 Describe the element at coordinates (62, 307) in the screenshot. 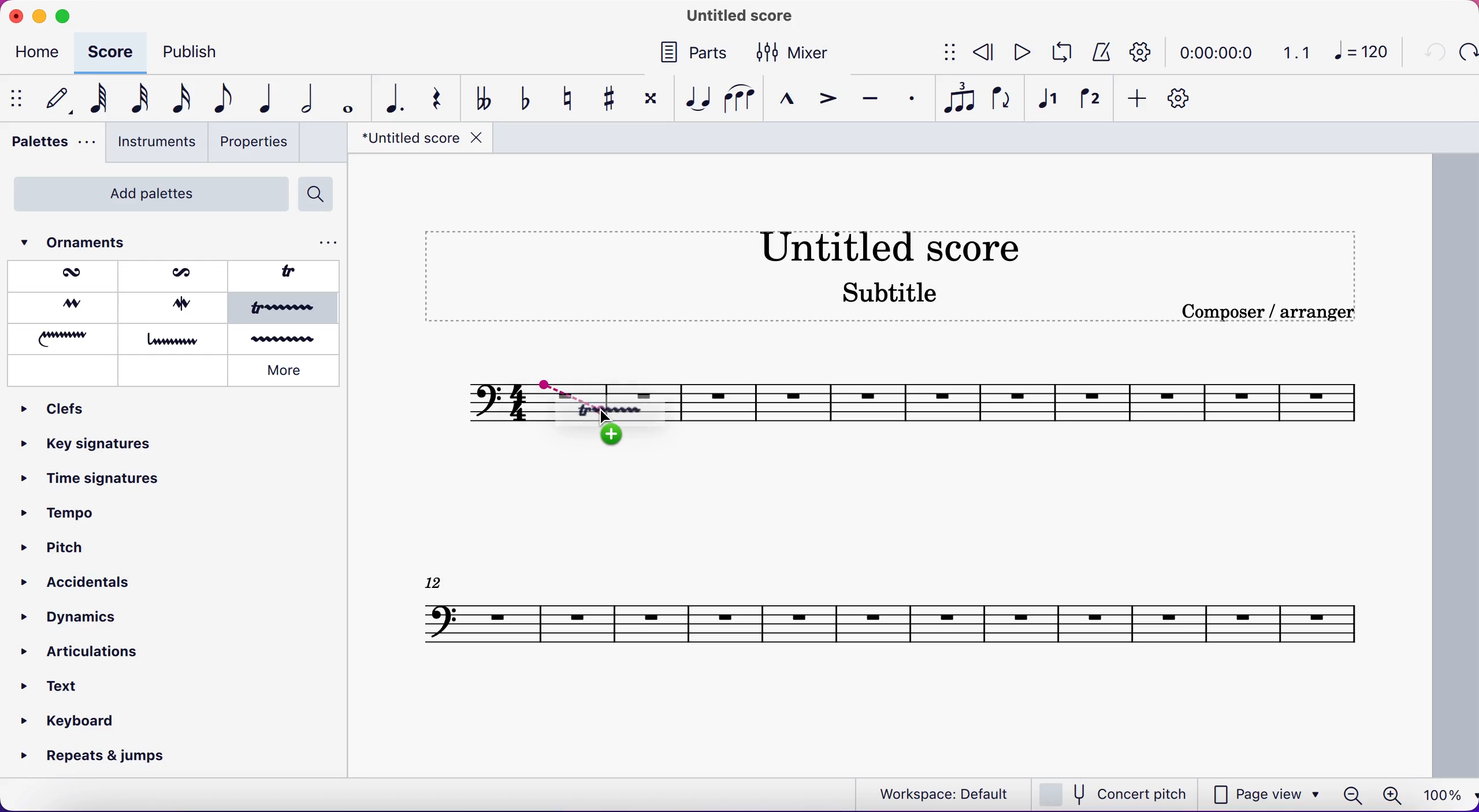

I see `turn` at that location.